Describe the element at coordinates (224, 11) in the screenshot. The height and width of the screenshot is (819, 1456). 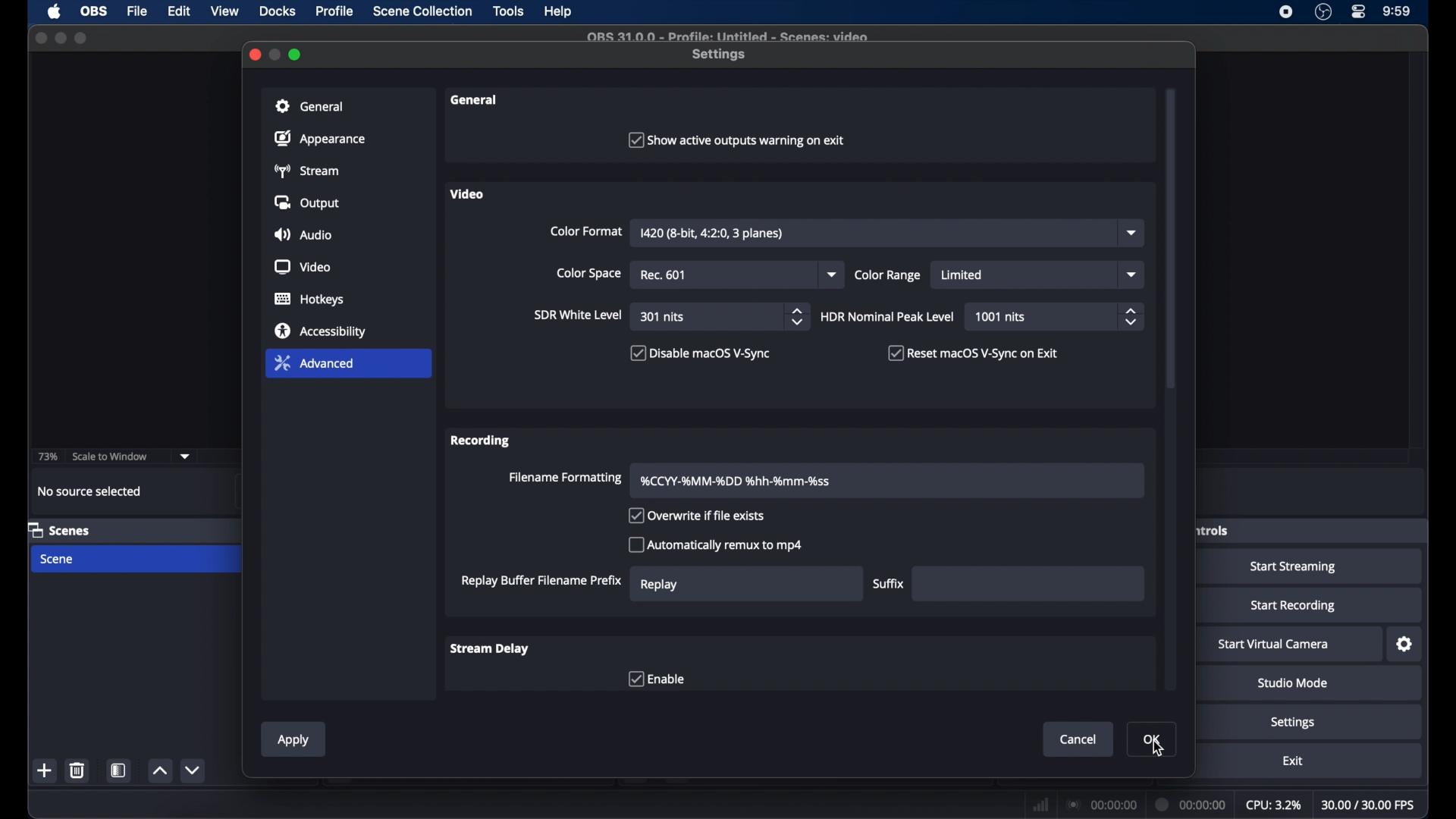
I see `view` at that location.